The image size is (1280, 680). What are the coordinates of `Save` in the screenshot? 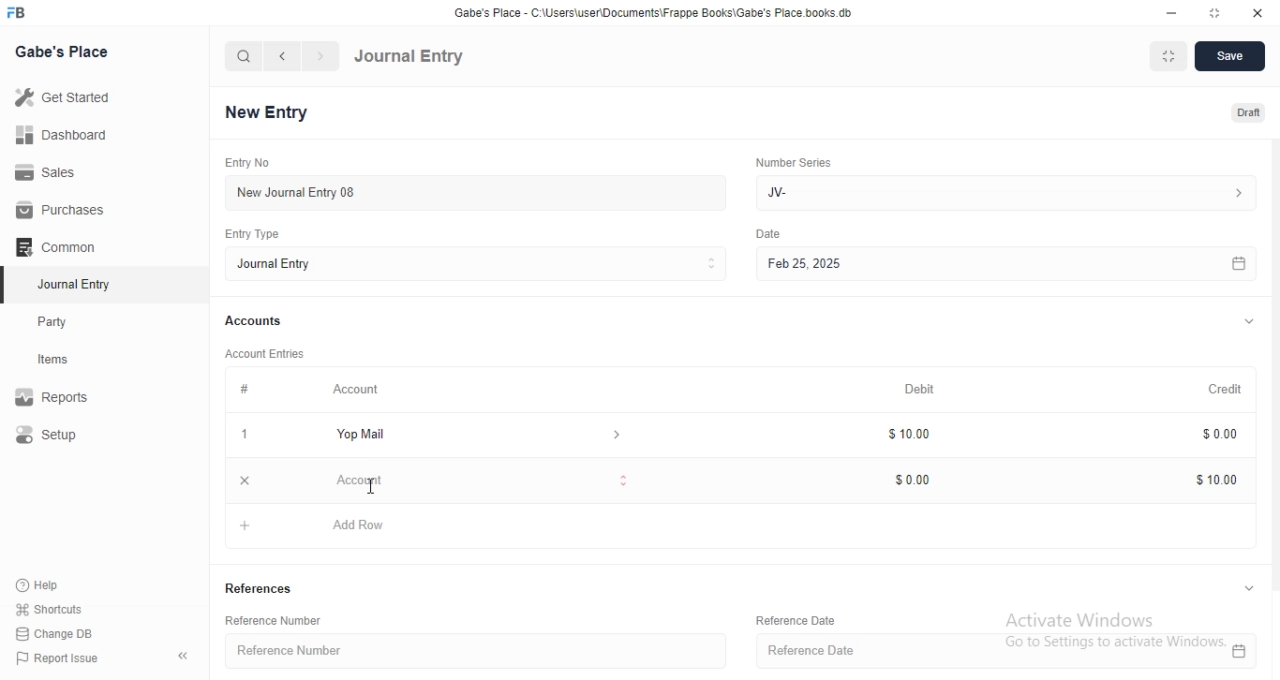 It's located at (1231, 57).